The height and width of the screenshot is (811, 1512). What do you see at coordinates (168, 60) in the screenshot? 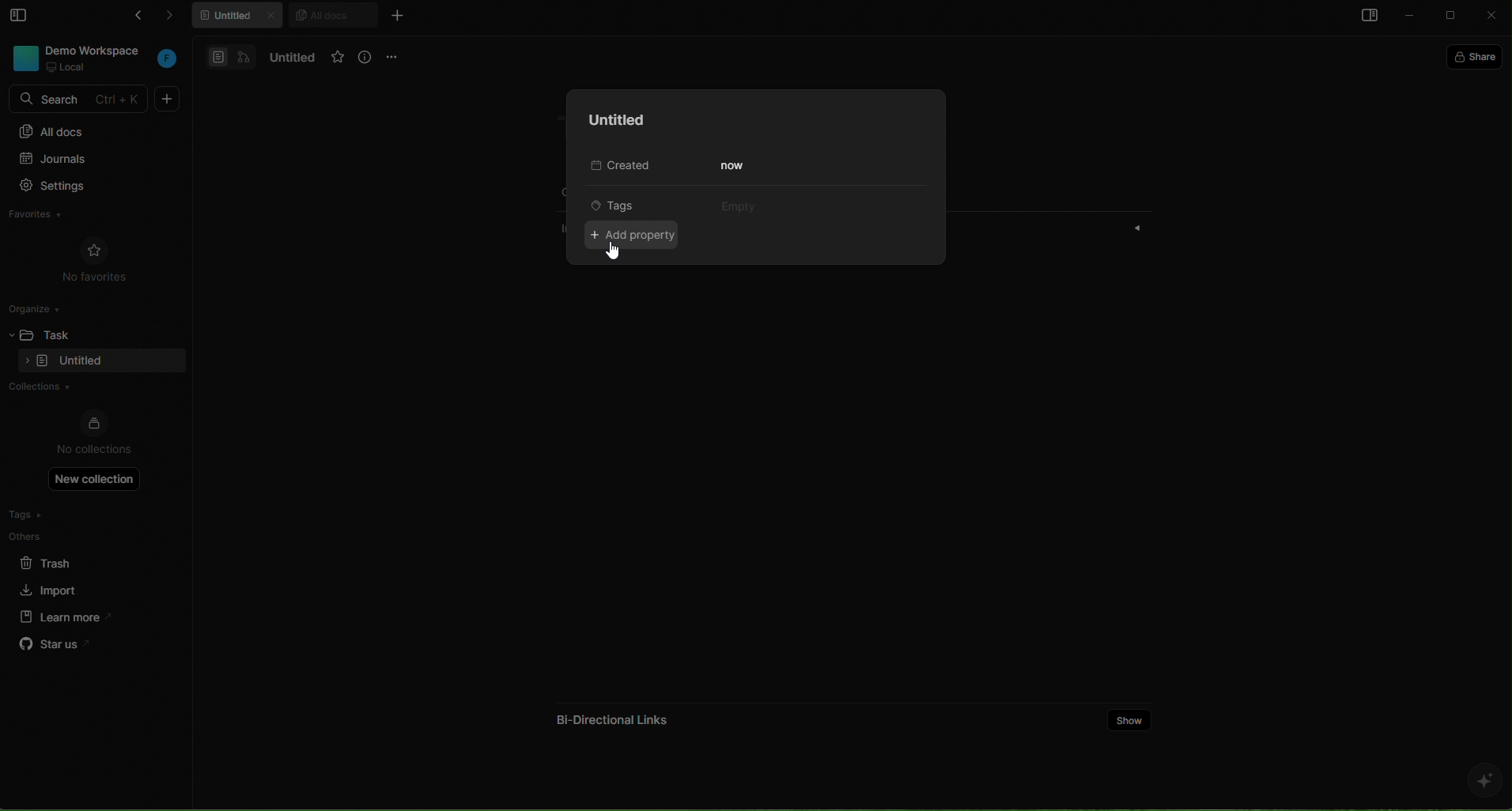
I see `workspace initial` at bounding box center [168, 60].